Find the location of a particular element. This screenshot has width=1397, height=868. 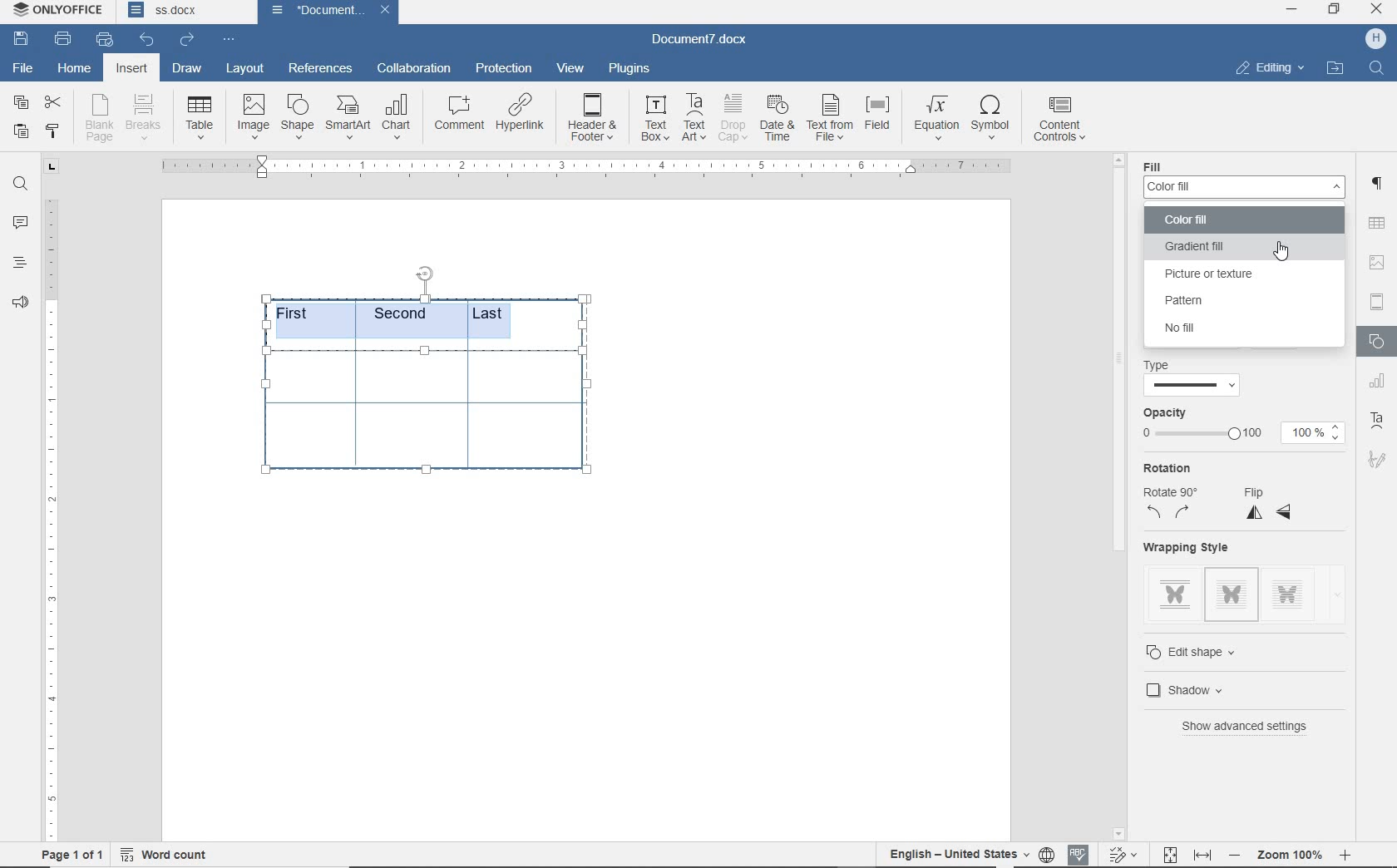

scroll down is located at coordinates (1118, 832).